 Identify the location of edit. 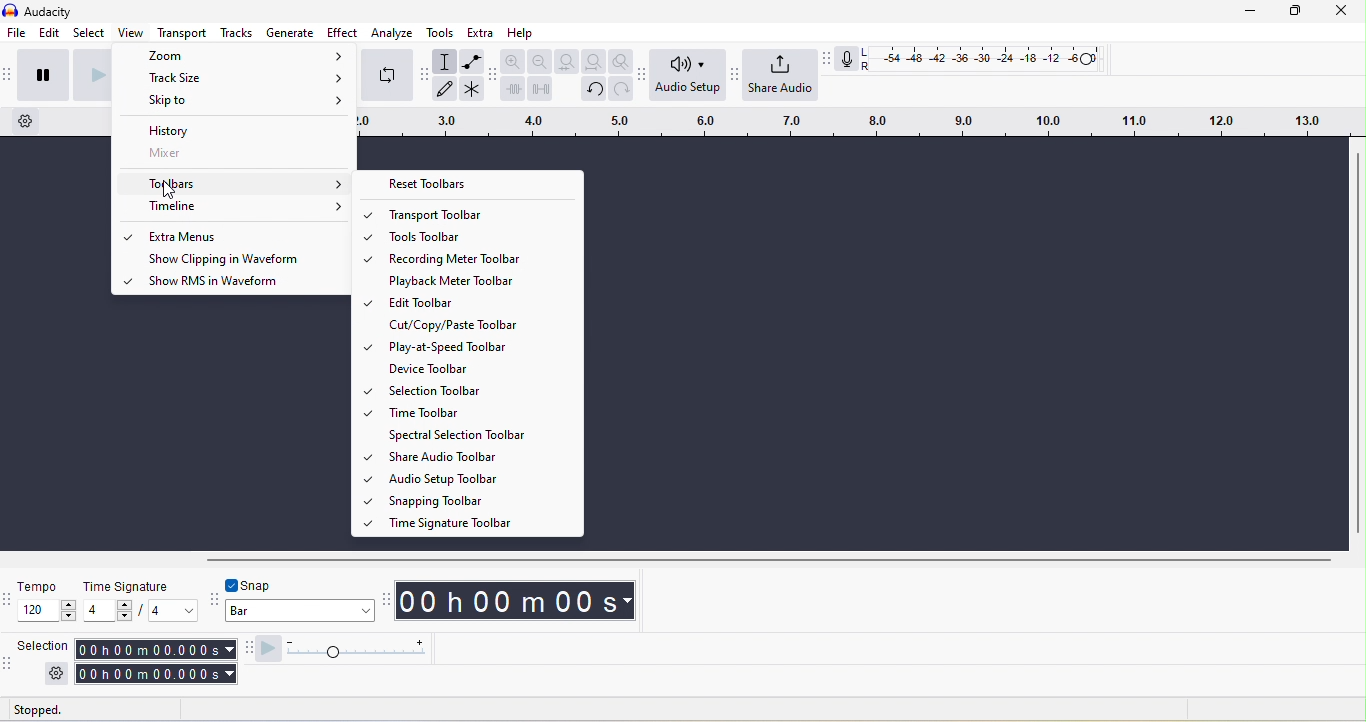
(50, 33).